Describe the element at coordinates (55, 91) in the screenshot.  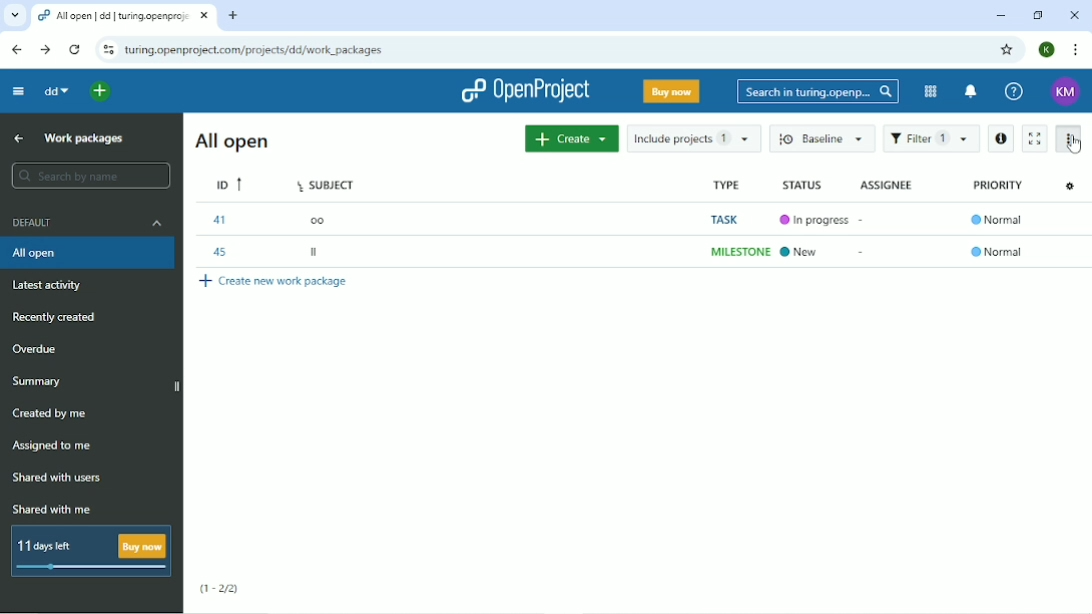
I see `dd` at that location.